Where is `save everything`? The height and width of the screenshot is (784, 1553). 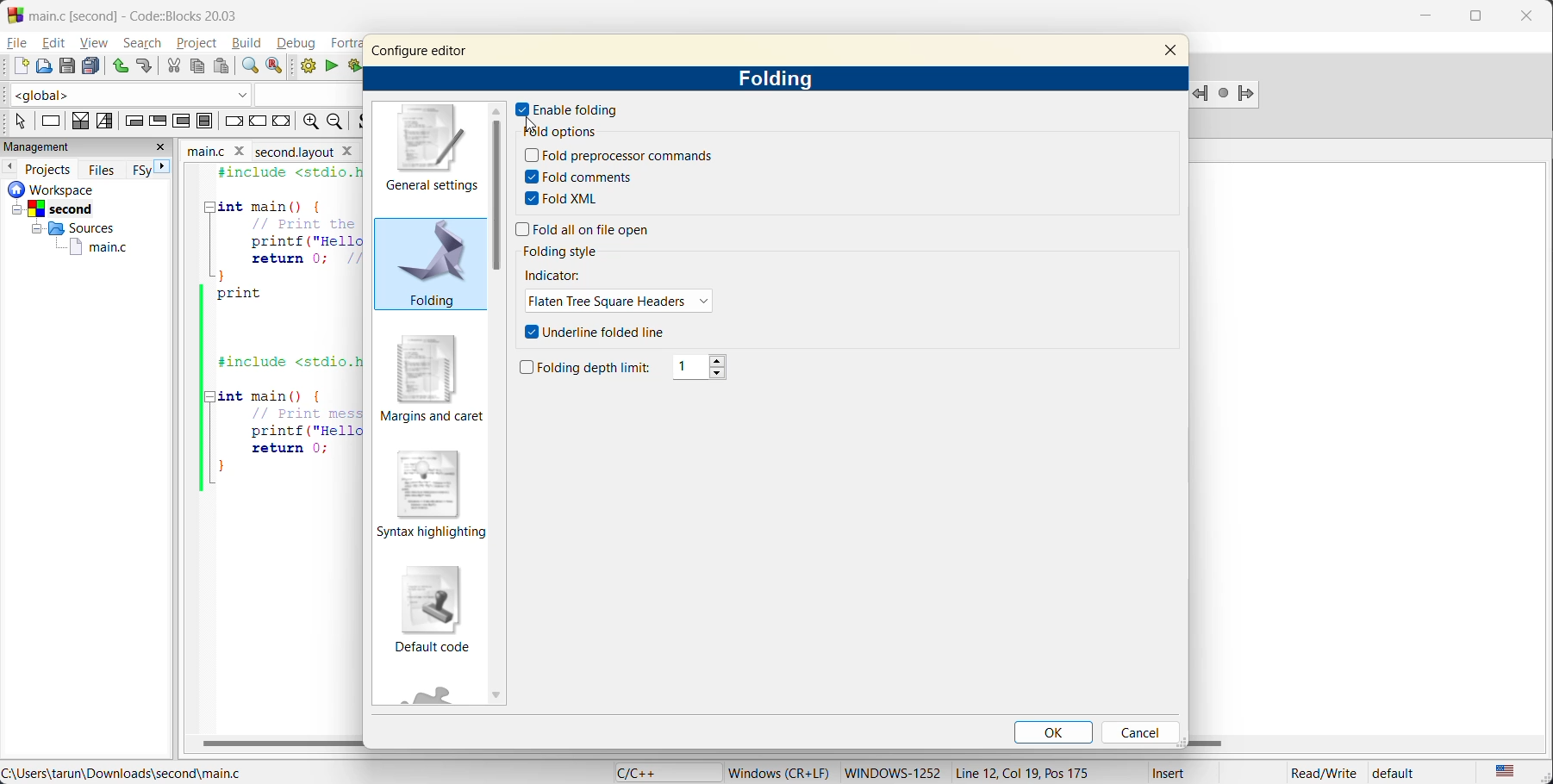 save everything is located at coordinates (90, 65).